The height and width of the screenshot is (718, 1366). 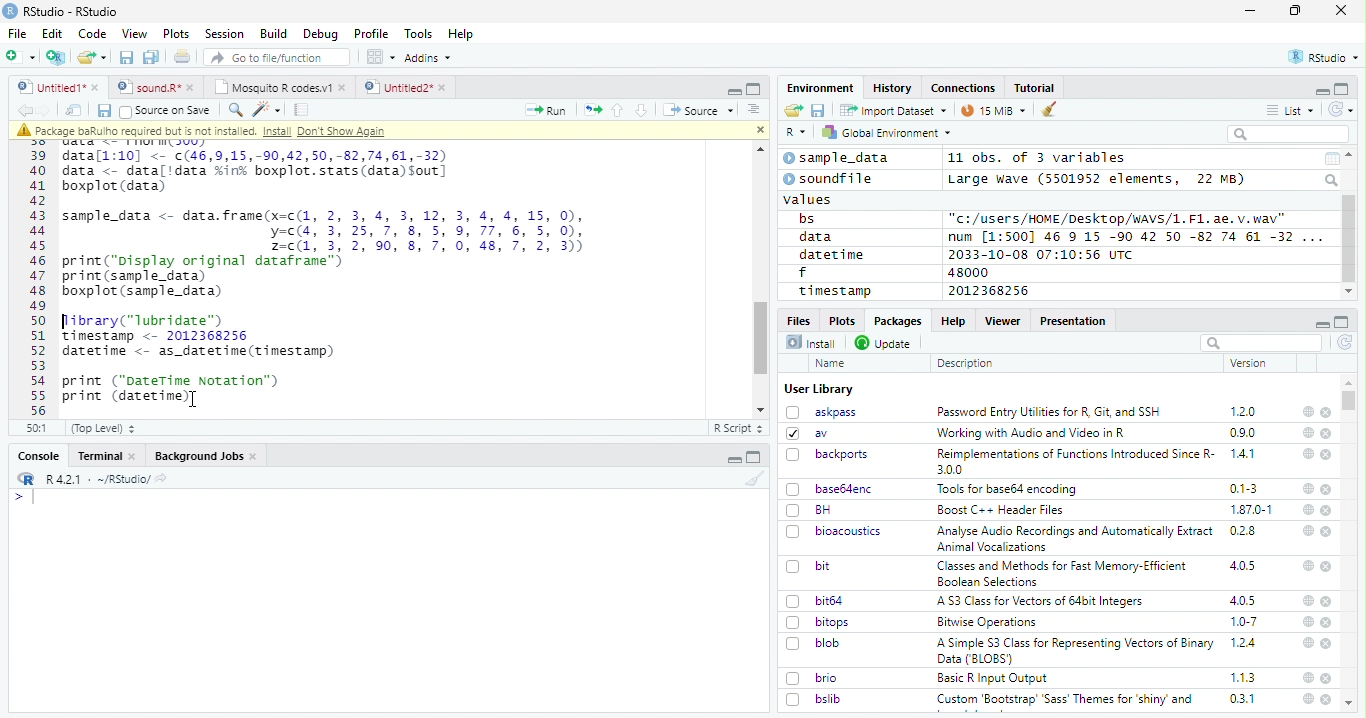 What do you see at coordinates (302, 110) in the screenshot?
I see `Compile report` at bounding box center [302, 110].